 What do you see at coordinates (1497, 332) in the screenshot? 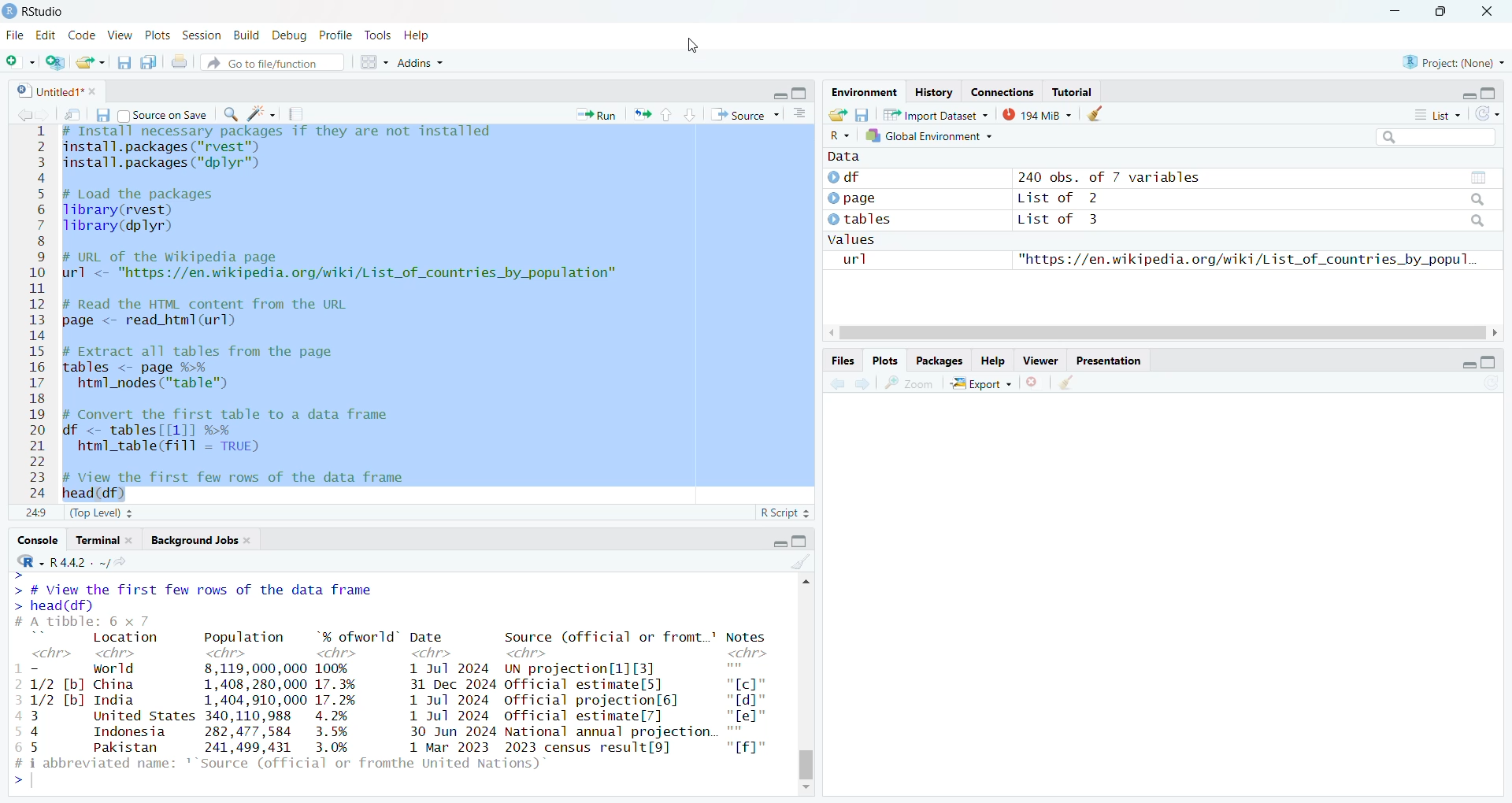
I see `scroll right` at bounding box center [1497, 332].